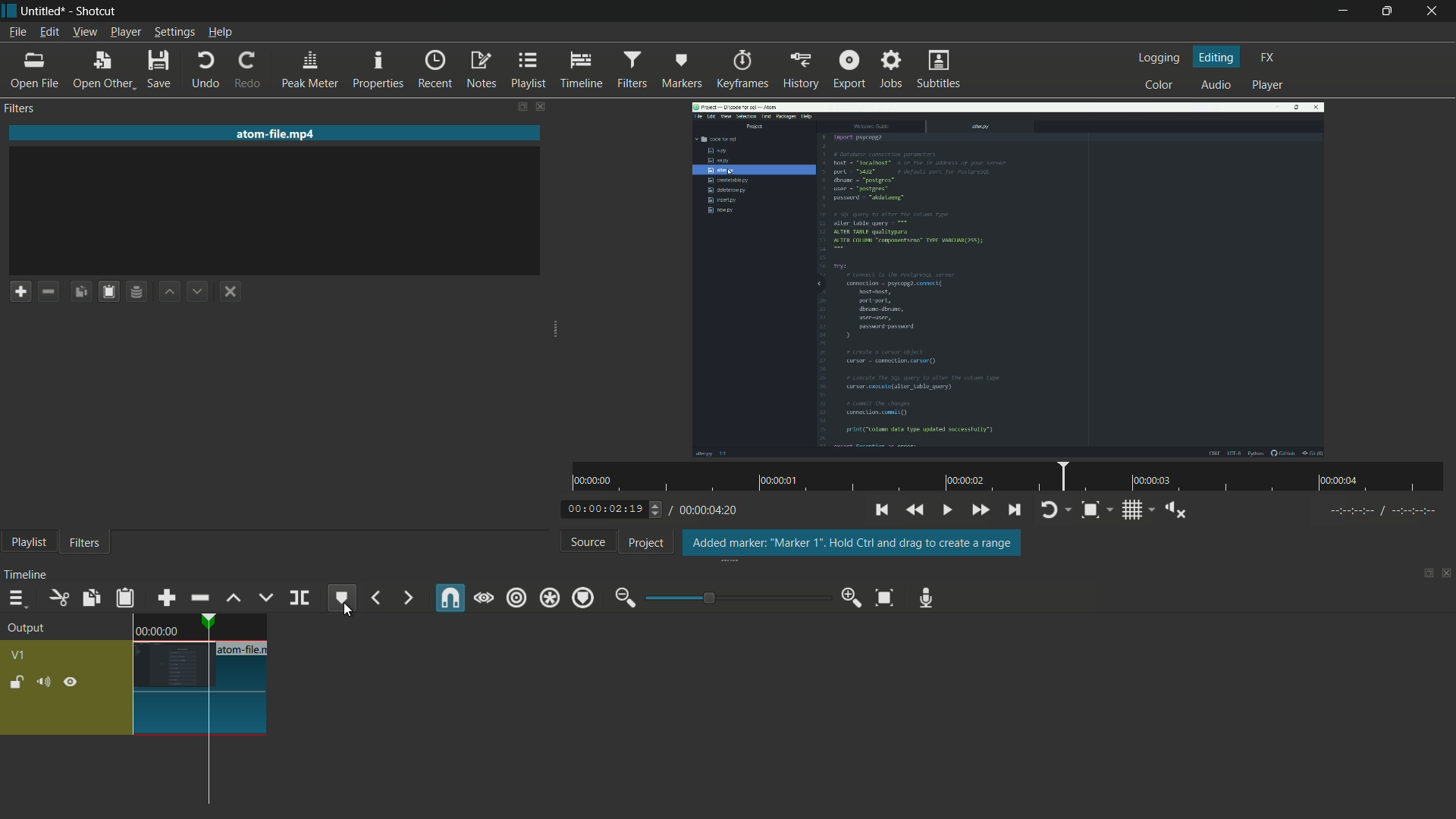 This screenshot has height=819, width=1456. What do you see at coordinates (526, 71) in the screenshot?
I see `playlist` at bounding box center [526, 71].